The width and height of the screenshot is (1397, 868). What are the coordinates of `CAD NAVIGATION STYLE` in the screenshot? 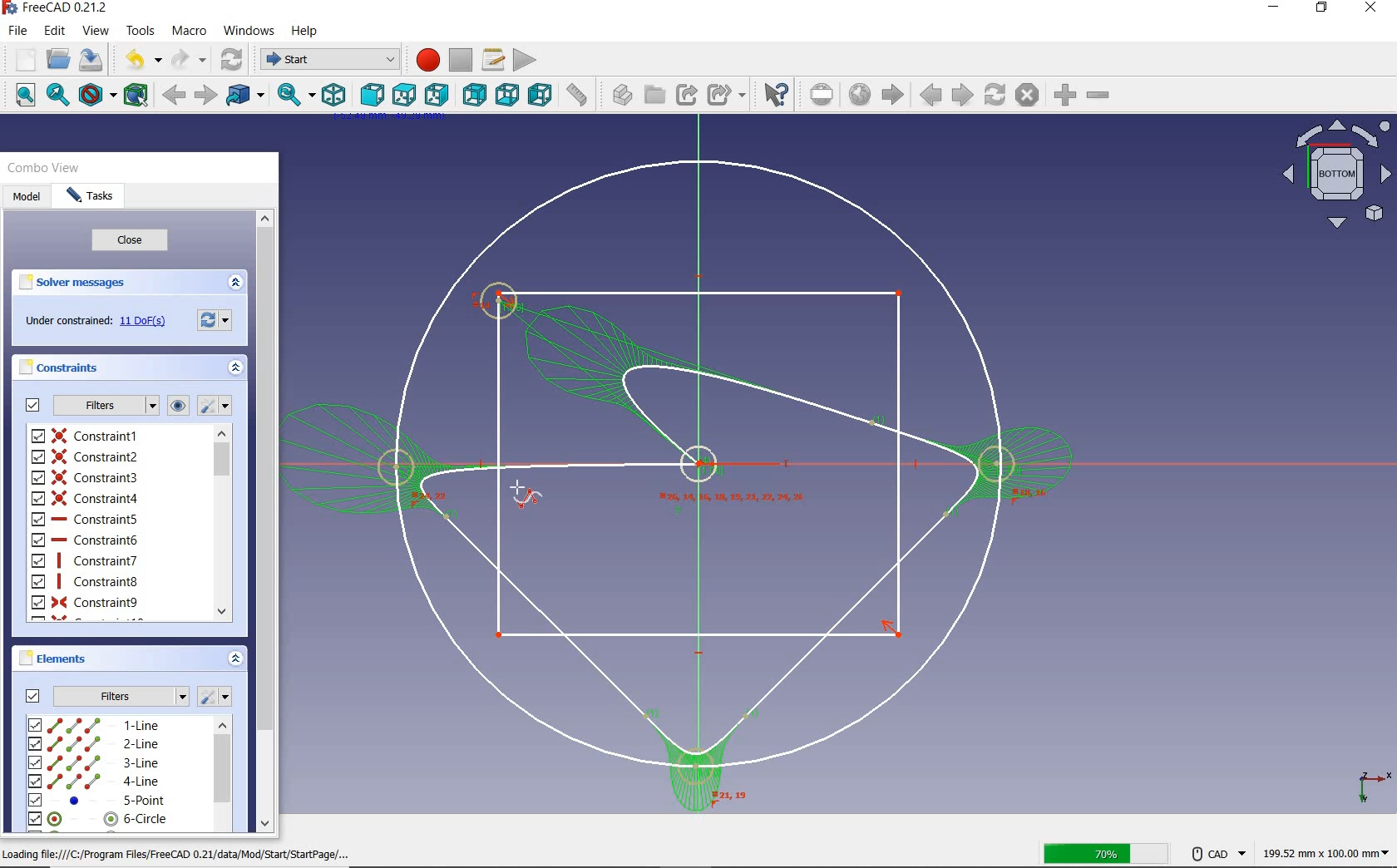 It's located at (1219, 853).